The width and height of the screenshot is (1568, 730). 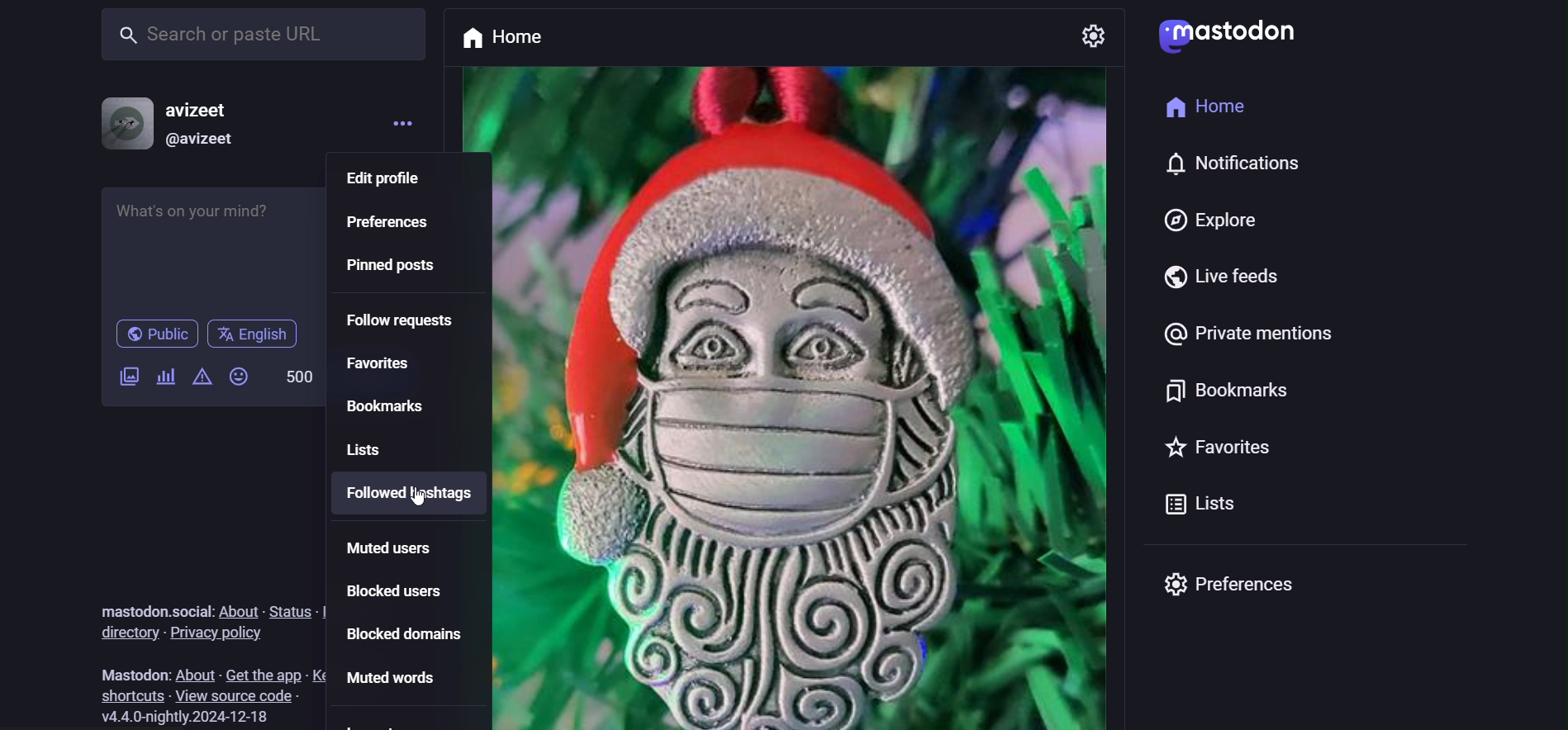 What do you see at coordinates (262, 672) in the screenshot?
I see `get the app` at bounding box center [262, 672].